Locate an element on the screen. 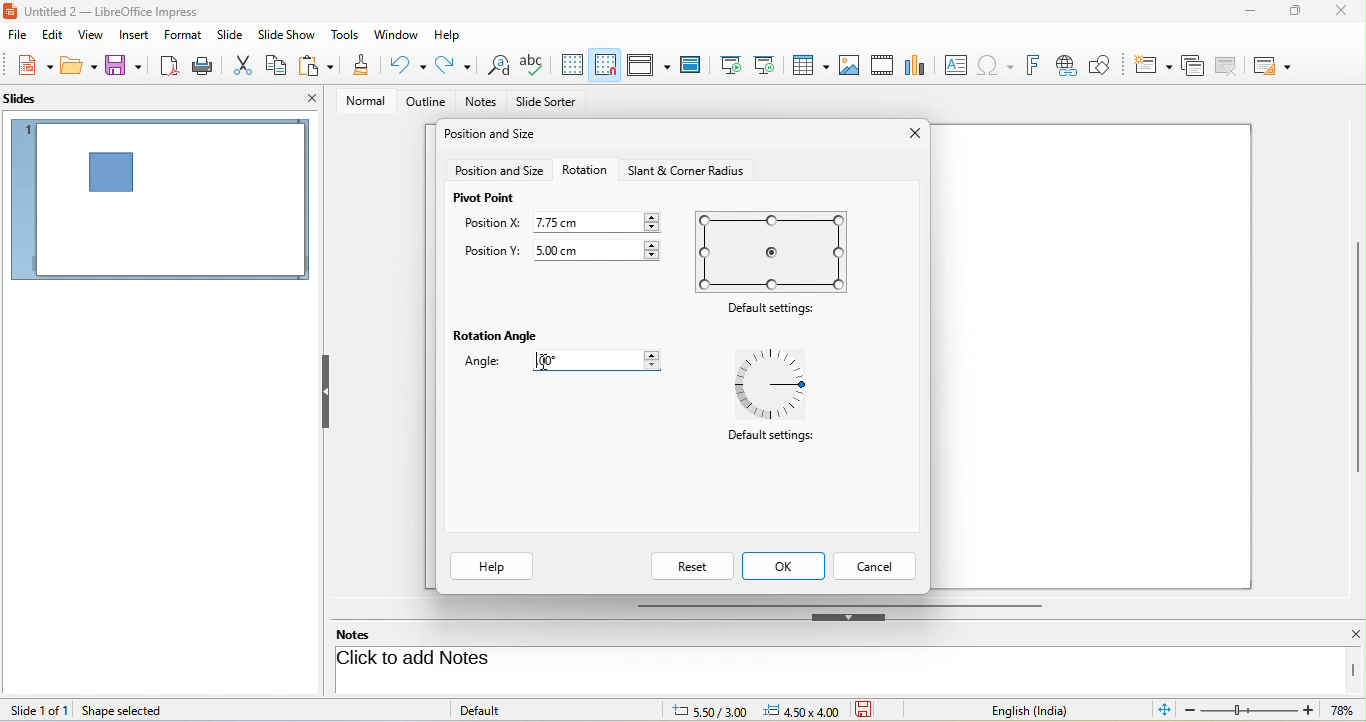 Image resolution: width=1366 pixels, height=722 pixels. cancel is located at coordinates (877, 566).